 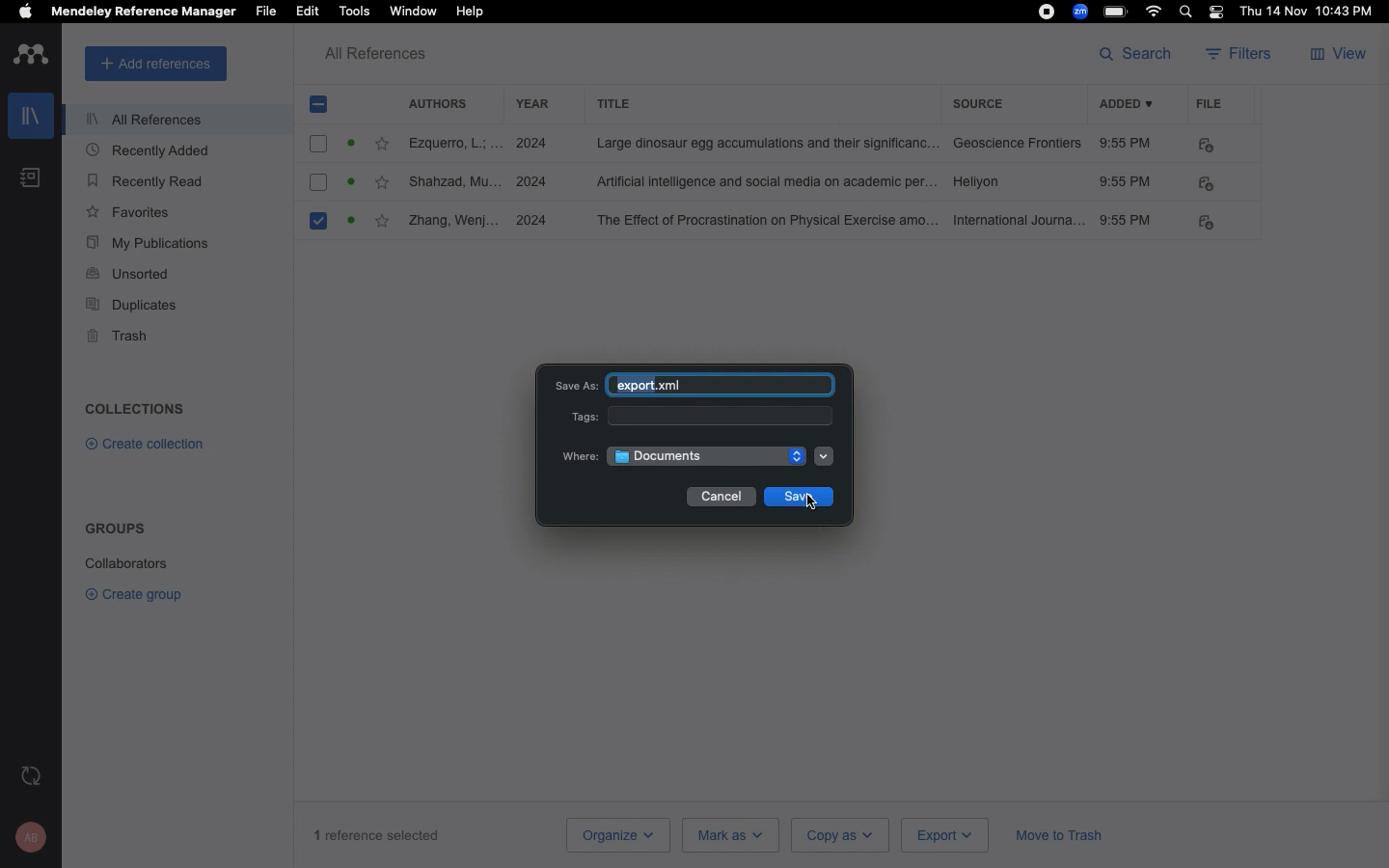 What do you see at coordinates (1202, 183) in the screenshot?
I see `FILE` at bounding box center [1202, 183].